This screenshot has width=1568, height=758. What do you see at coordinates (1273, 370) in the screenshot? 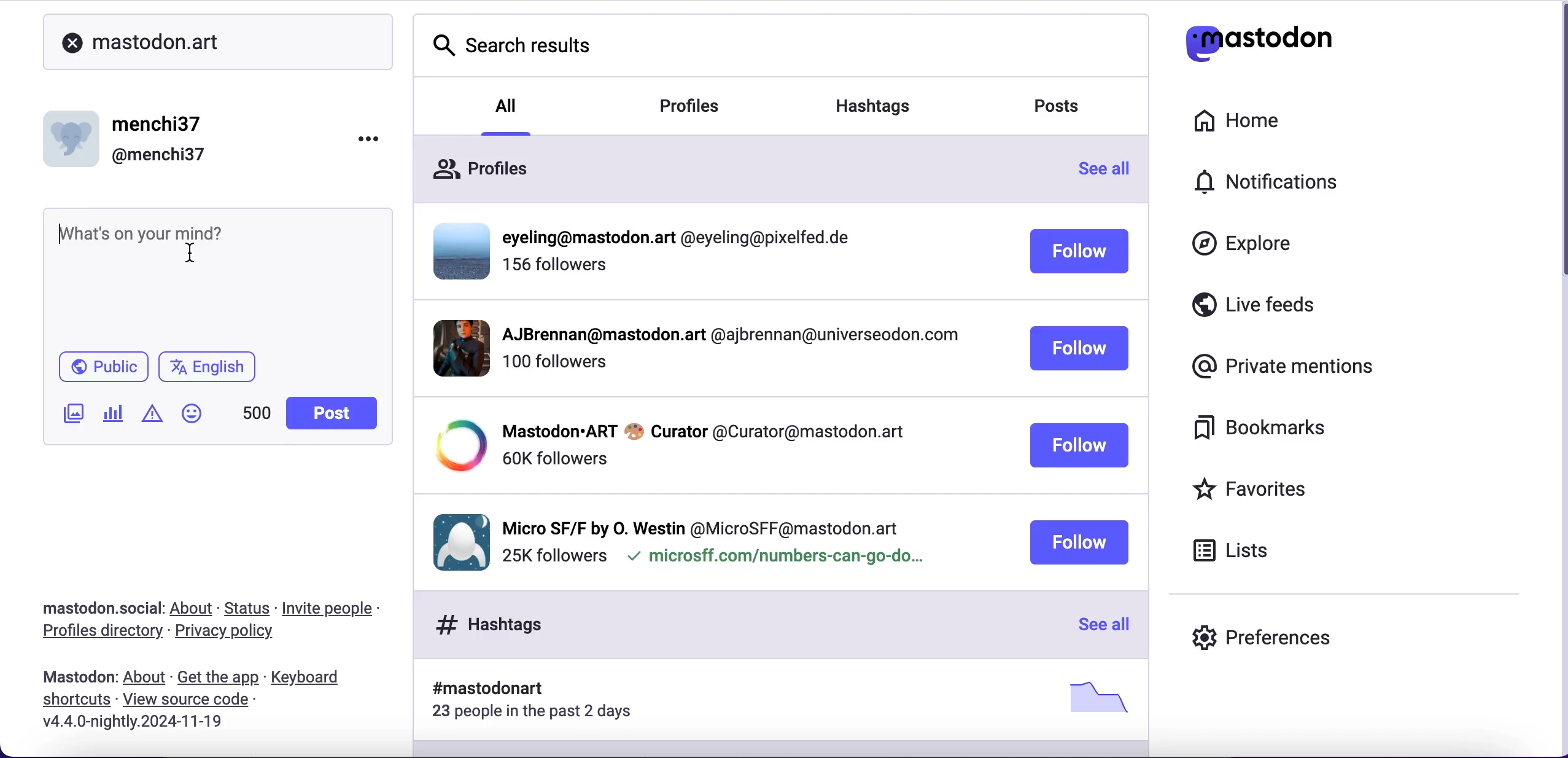
I see `private mentions` at bounding box center [1273, 370].